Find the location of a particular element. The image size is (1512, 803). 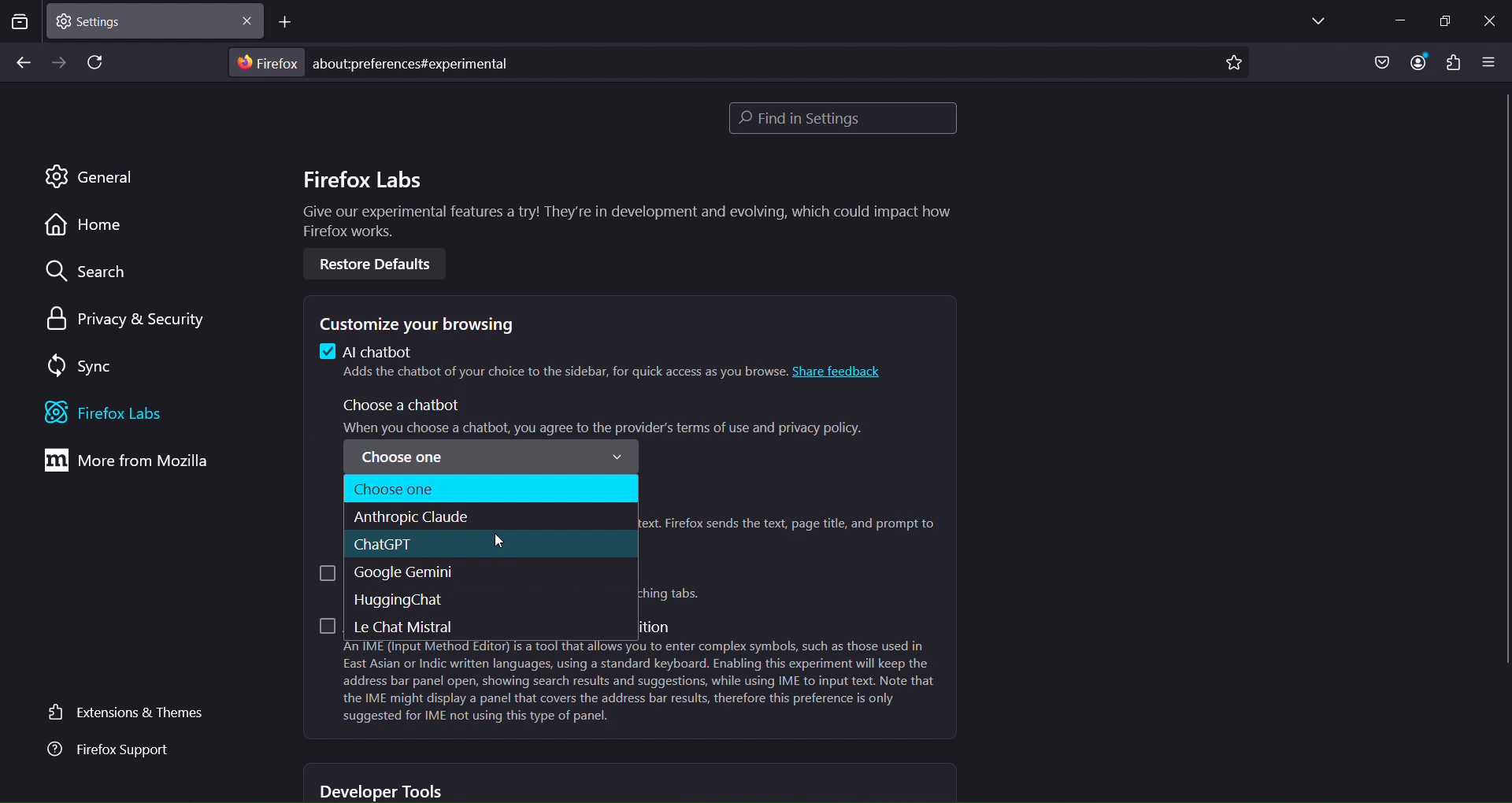

share feedback is located at coordinates (837, 370).